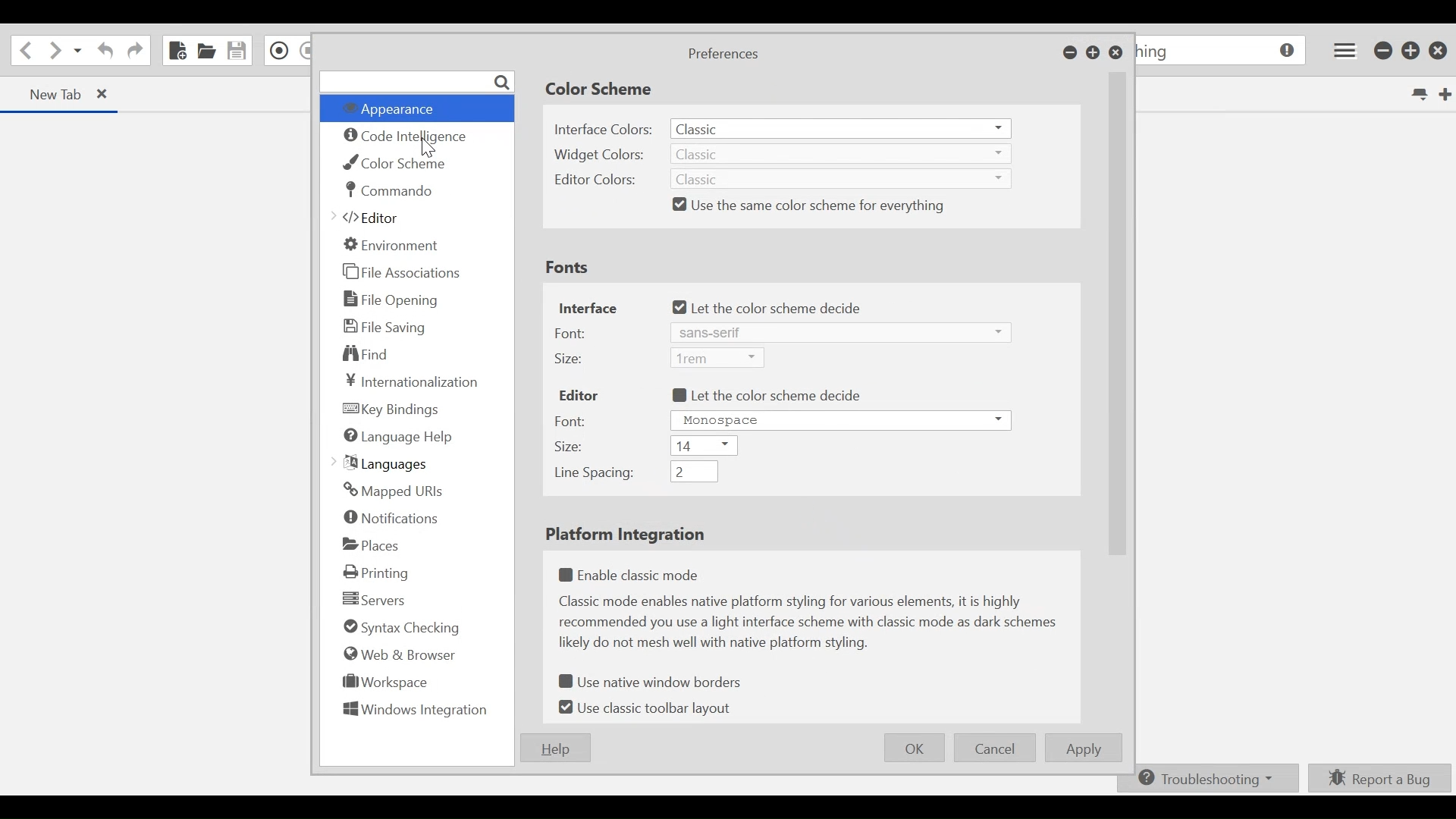 The height and width of the screenshot is (819, 1456). I want to click on Troubleshooting, so click(1205, 779).